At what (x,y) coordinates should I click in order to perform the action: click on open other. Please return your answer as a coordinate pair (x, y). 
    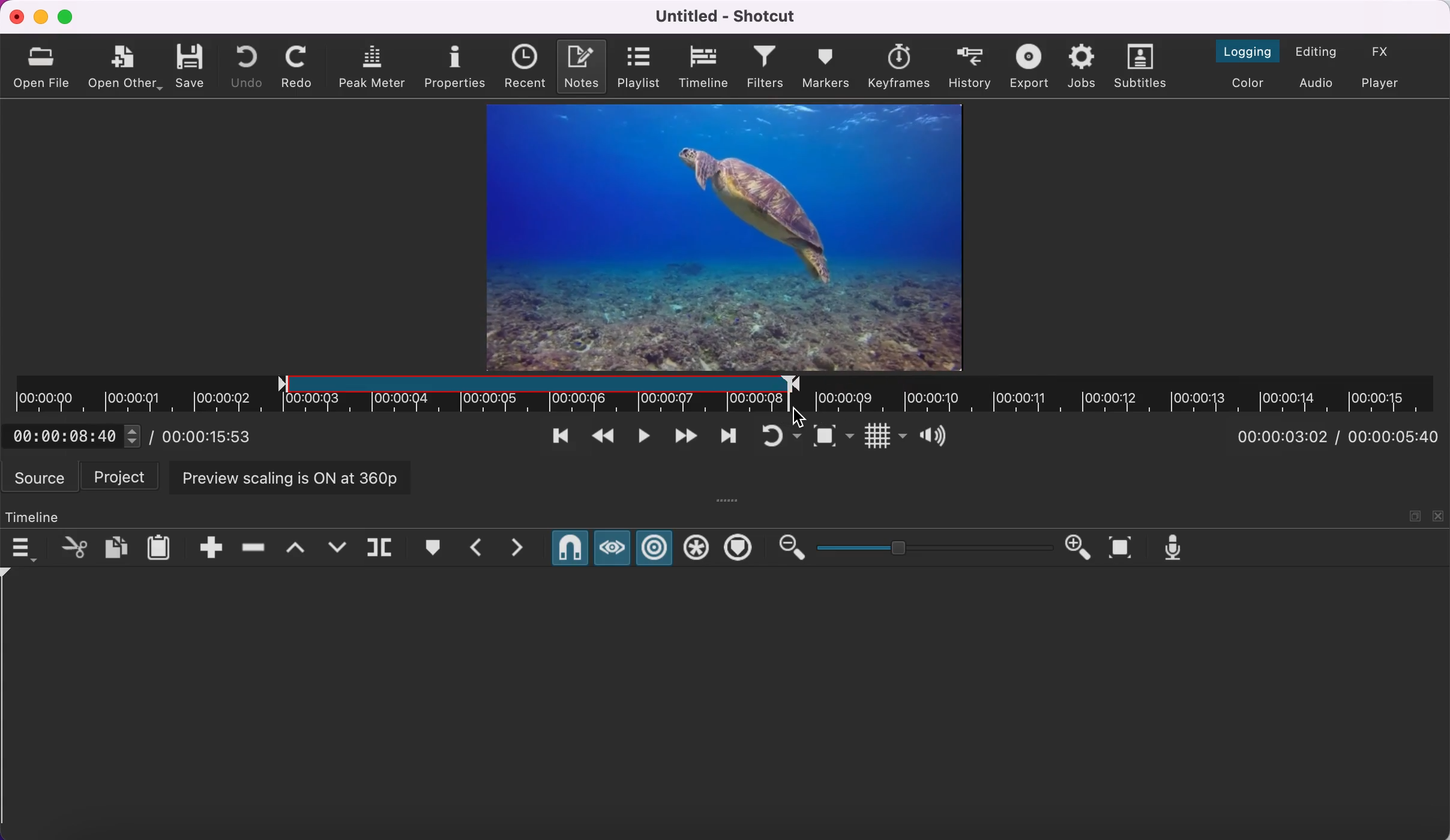
    Looking at the image, I should click on (126, 68).